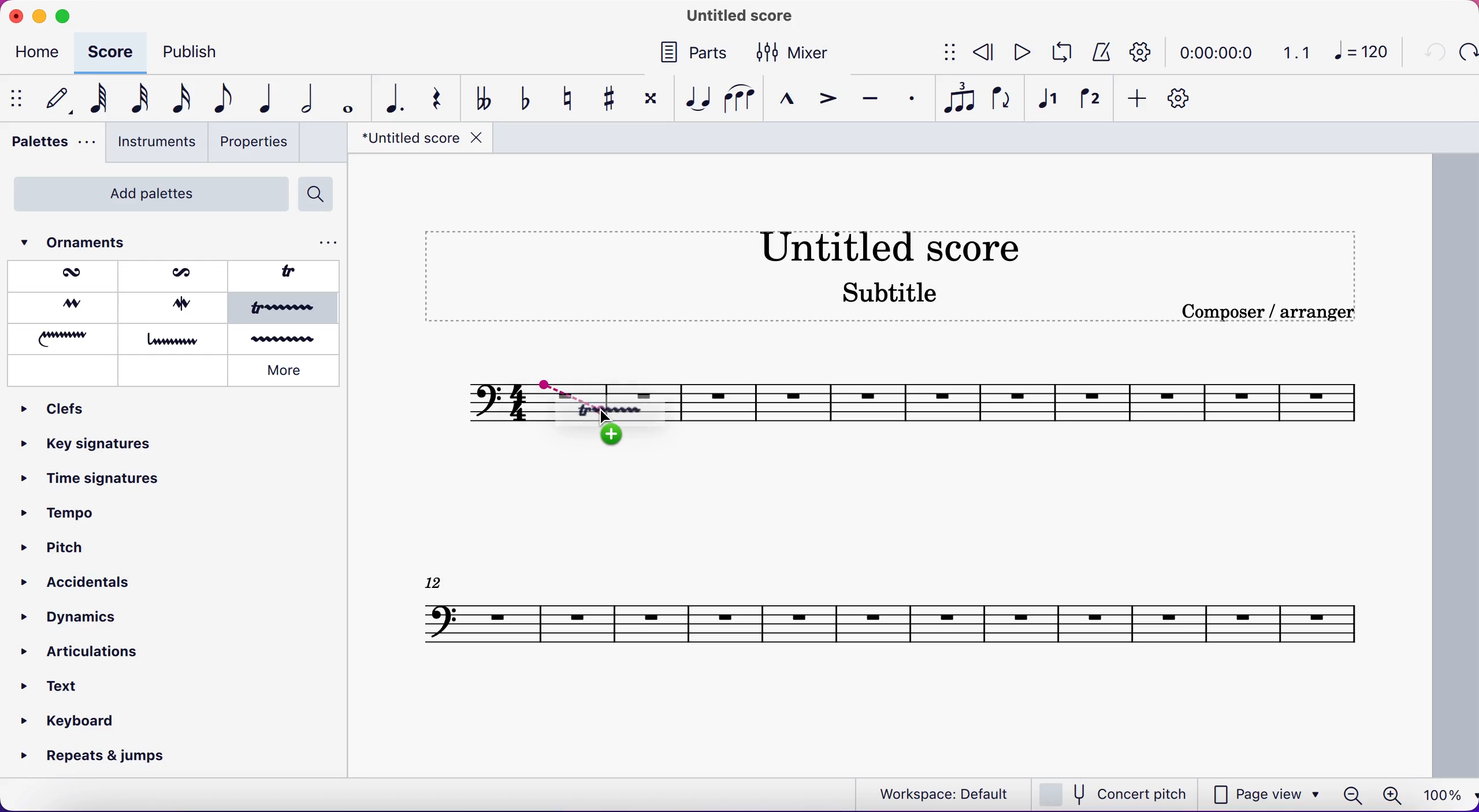 This screenshot has height=812, width=1479. I want to click on glissando (ascending), so click(65, 337).